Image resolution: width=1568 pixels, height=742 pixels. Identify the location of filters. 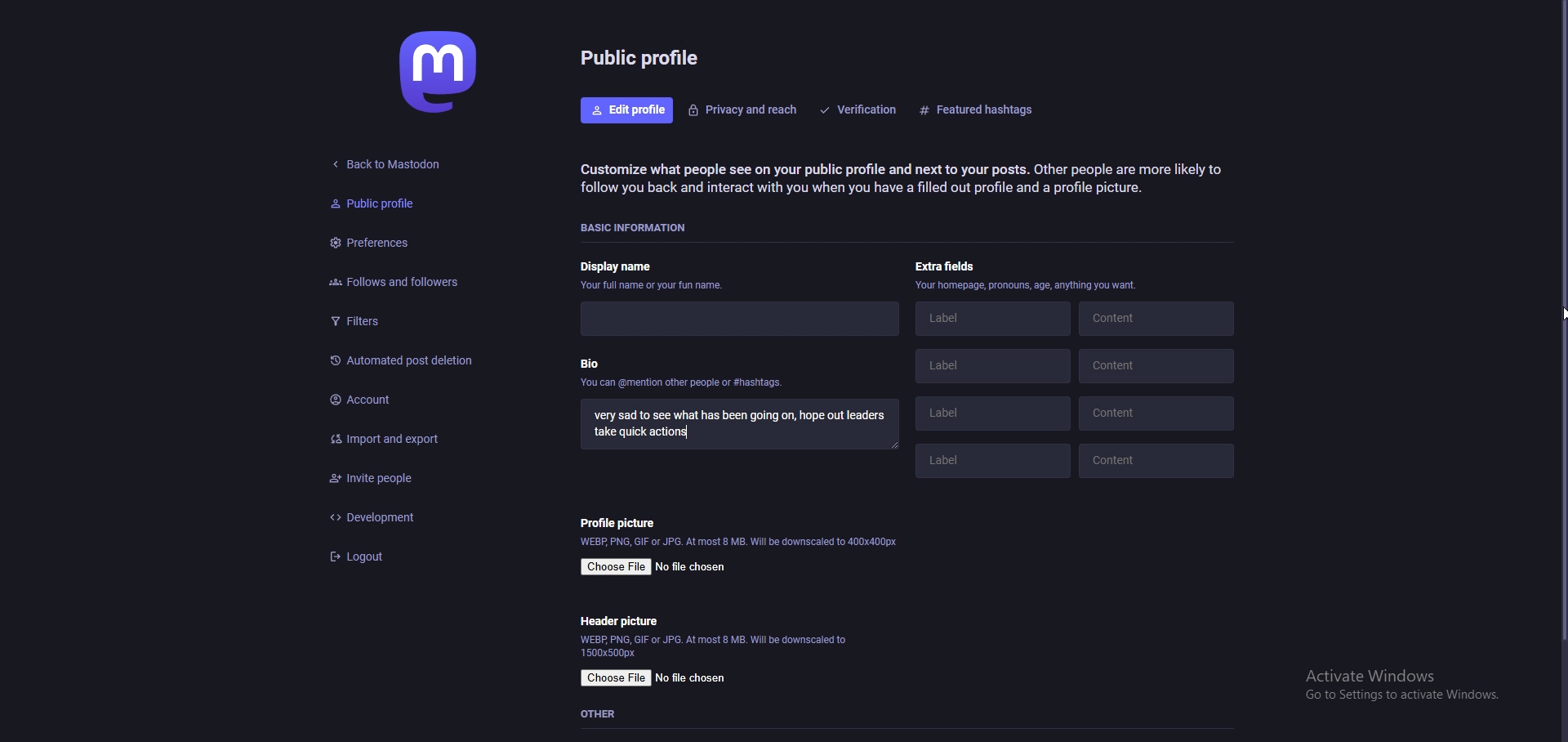
(404, 318).